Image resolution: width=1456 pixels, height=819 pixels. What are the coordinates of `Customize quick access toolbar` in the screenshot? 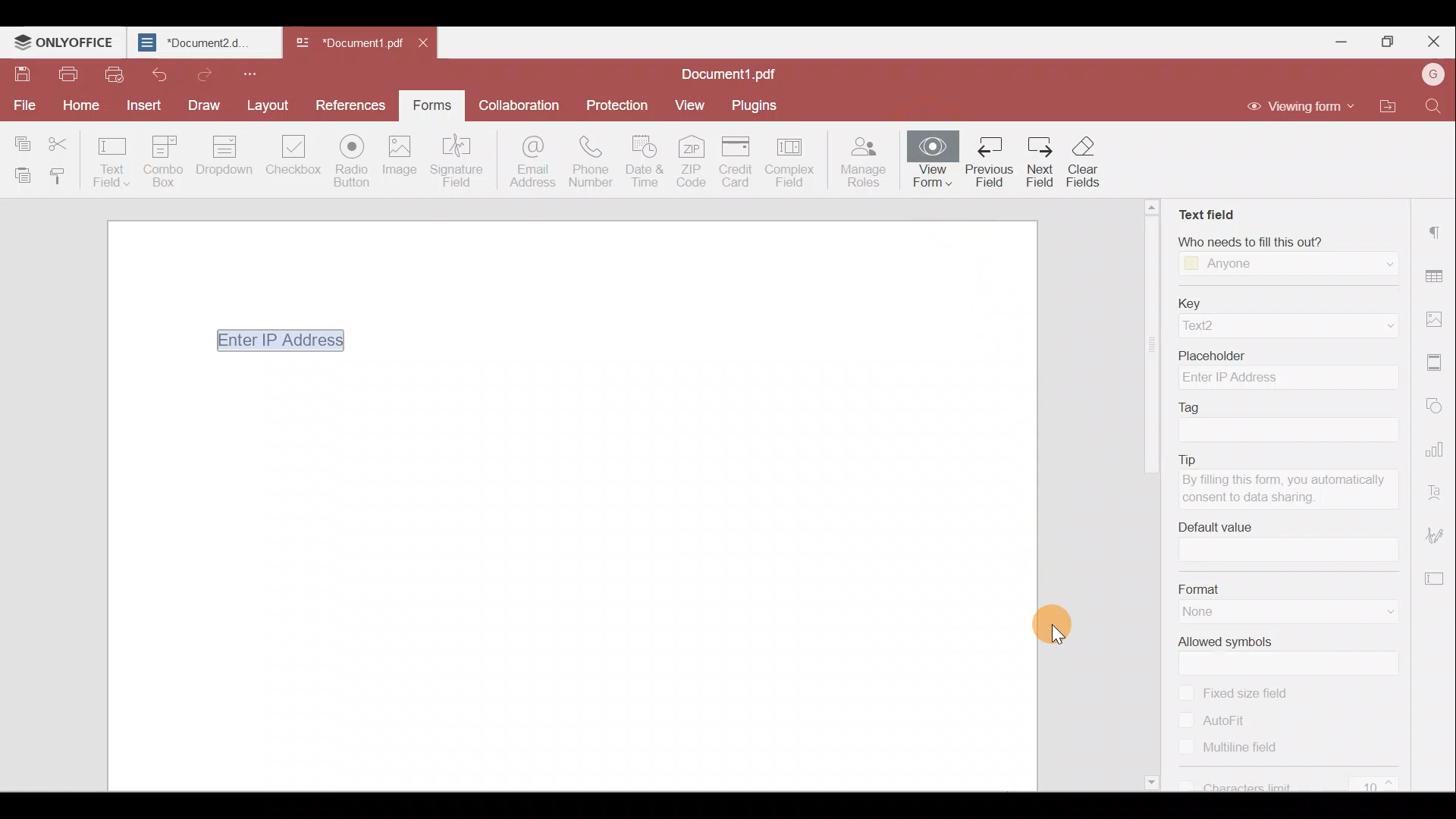 It's located at (255, 73).